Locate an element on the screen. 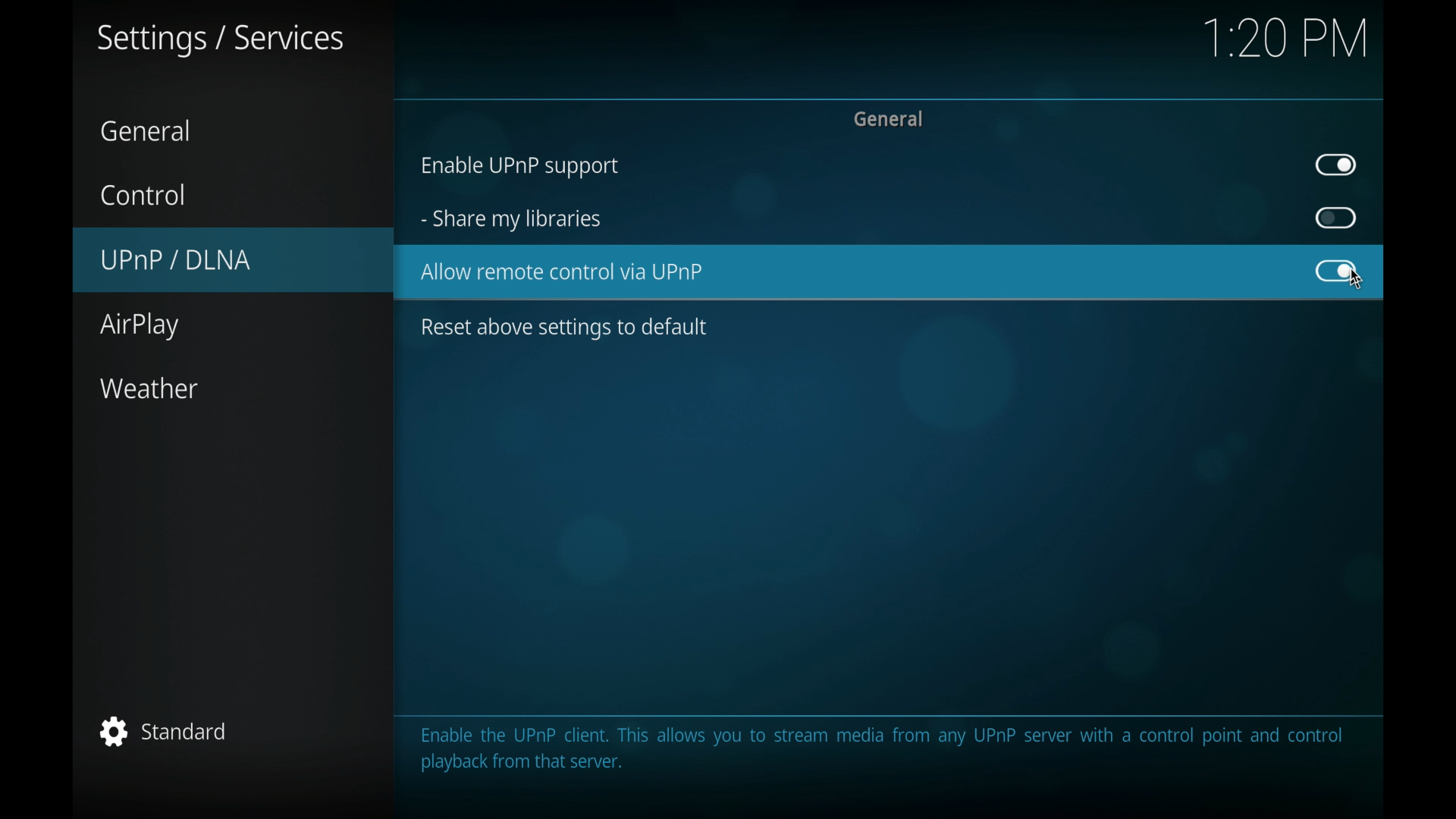  reset above settings to default is located at coordinates (563, 328).